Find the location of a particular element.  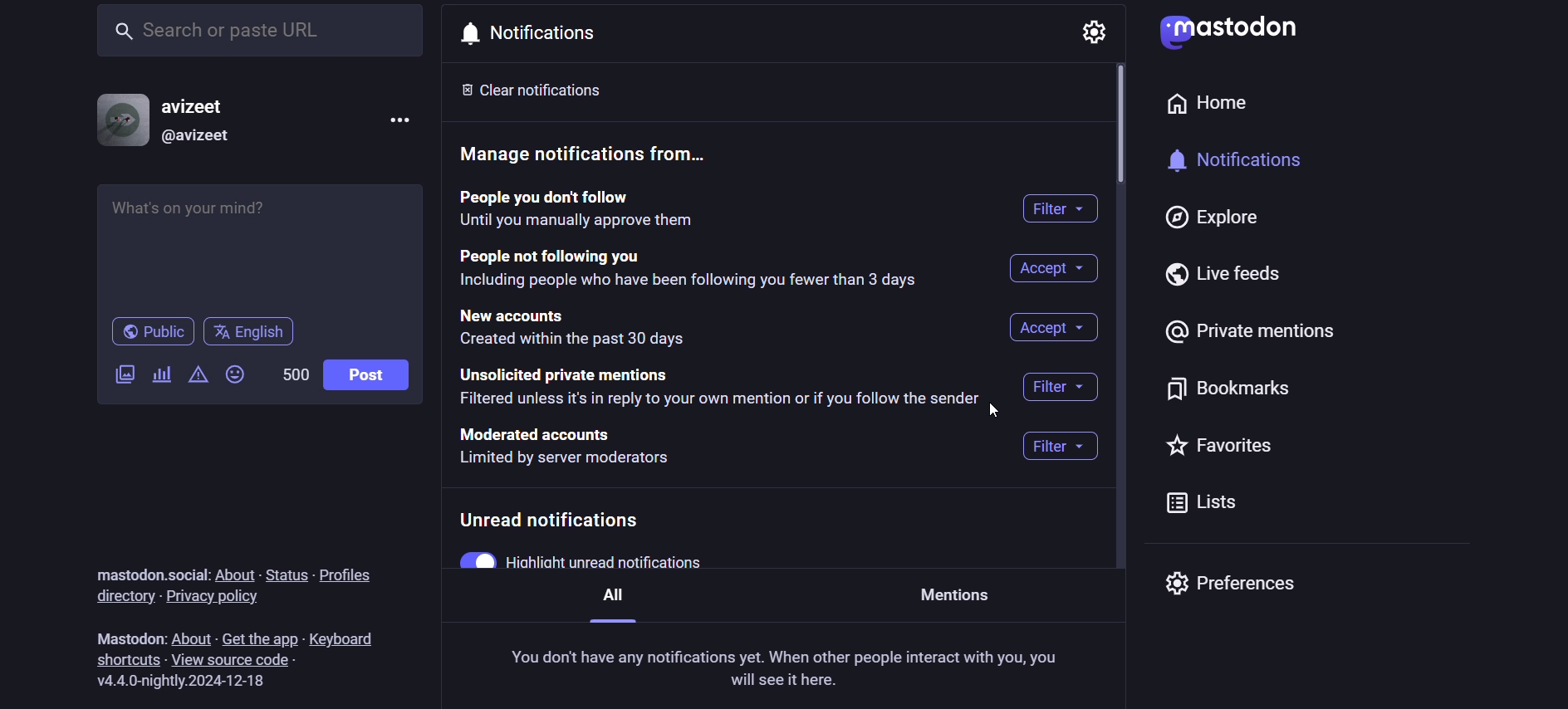

Moderated accounts
Limited by server moderators is located at coordinates (572, 447).